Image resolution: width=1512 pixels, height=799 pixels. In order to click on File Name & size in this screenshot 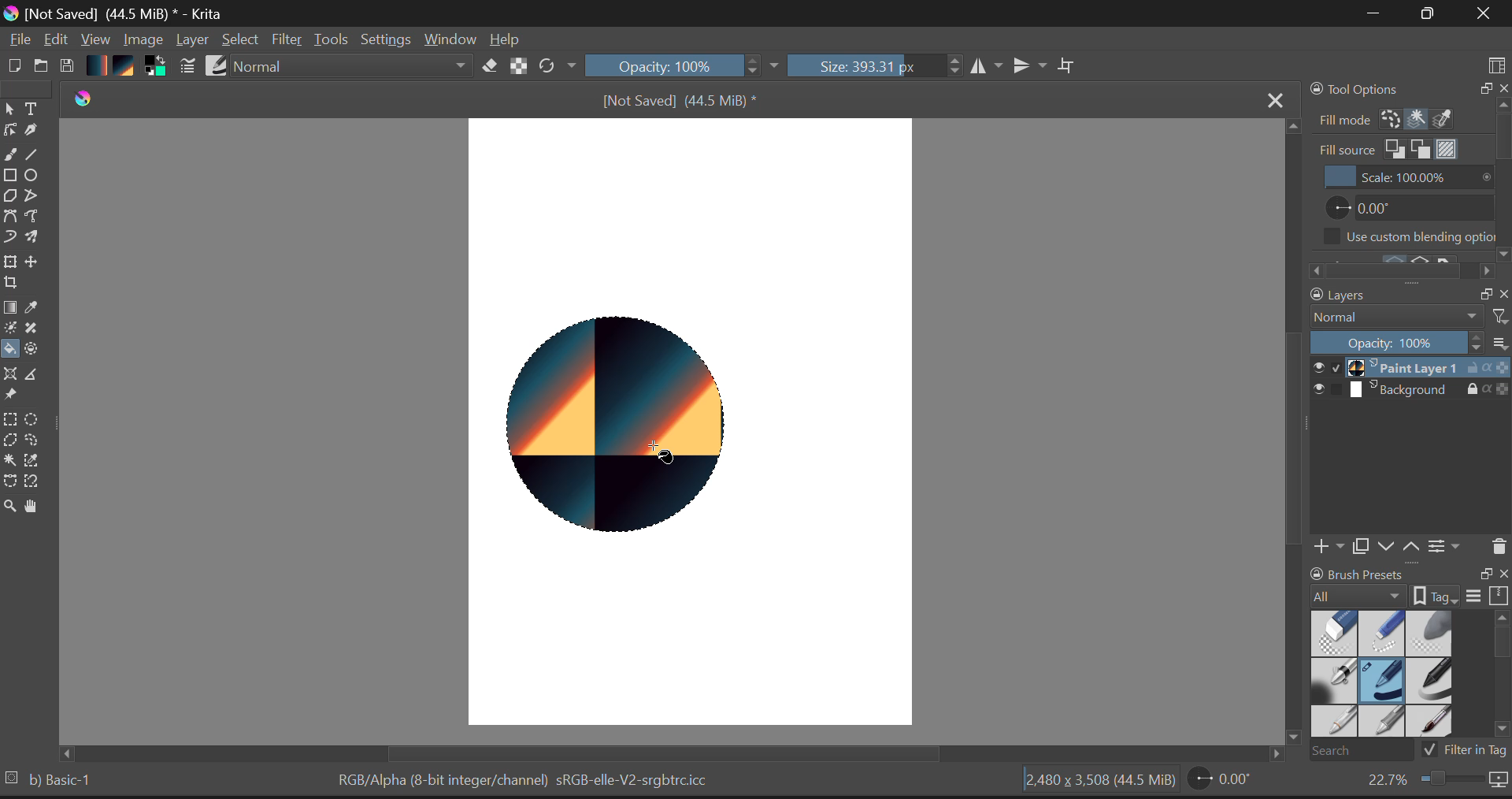, I will do `click(679, 100)`.